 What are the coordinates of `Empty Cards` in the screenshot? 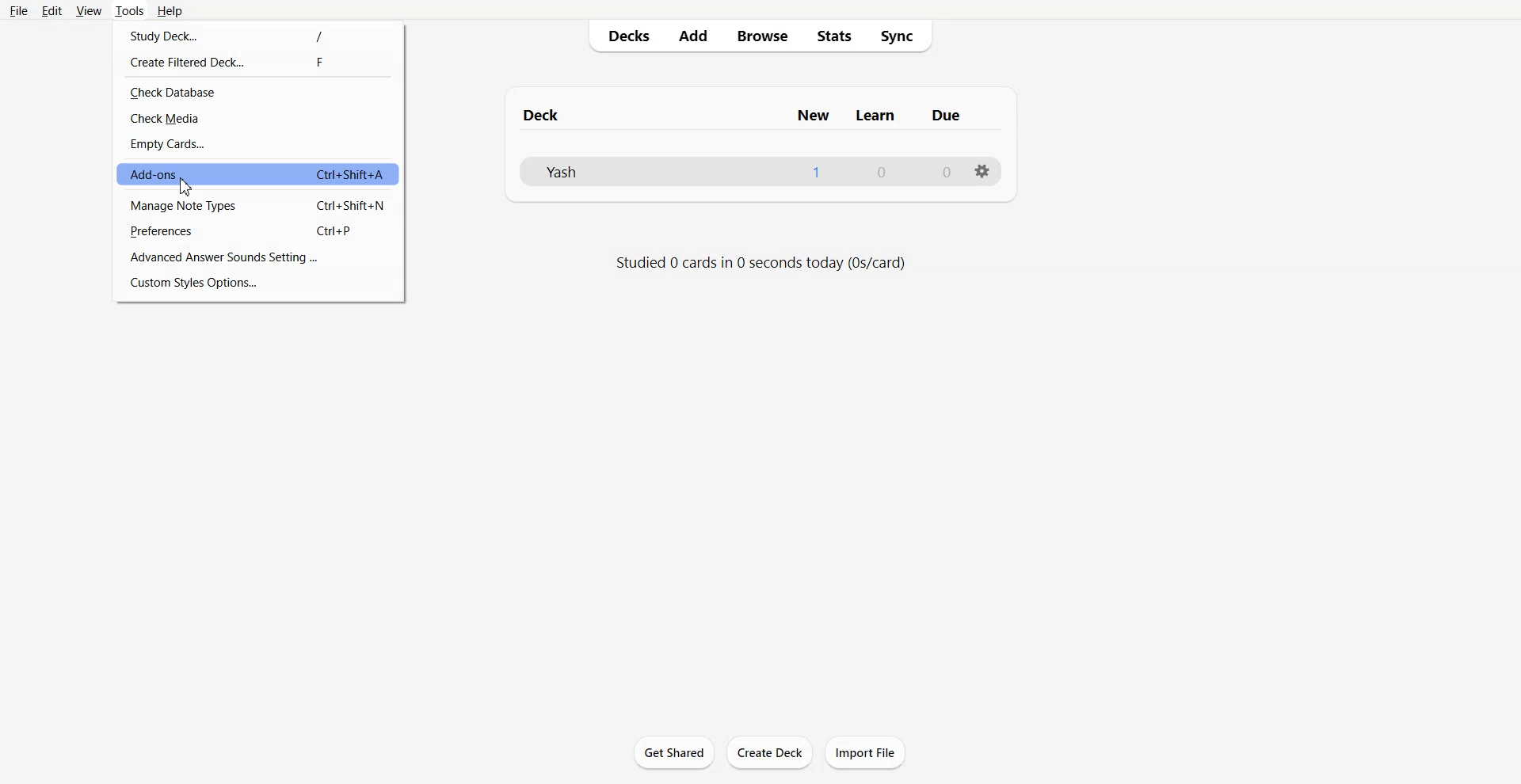 It's located at (259, 145).